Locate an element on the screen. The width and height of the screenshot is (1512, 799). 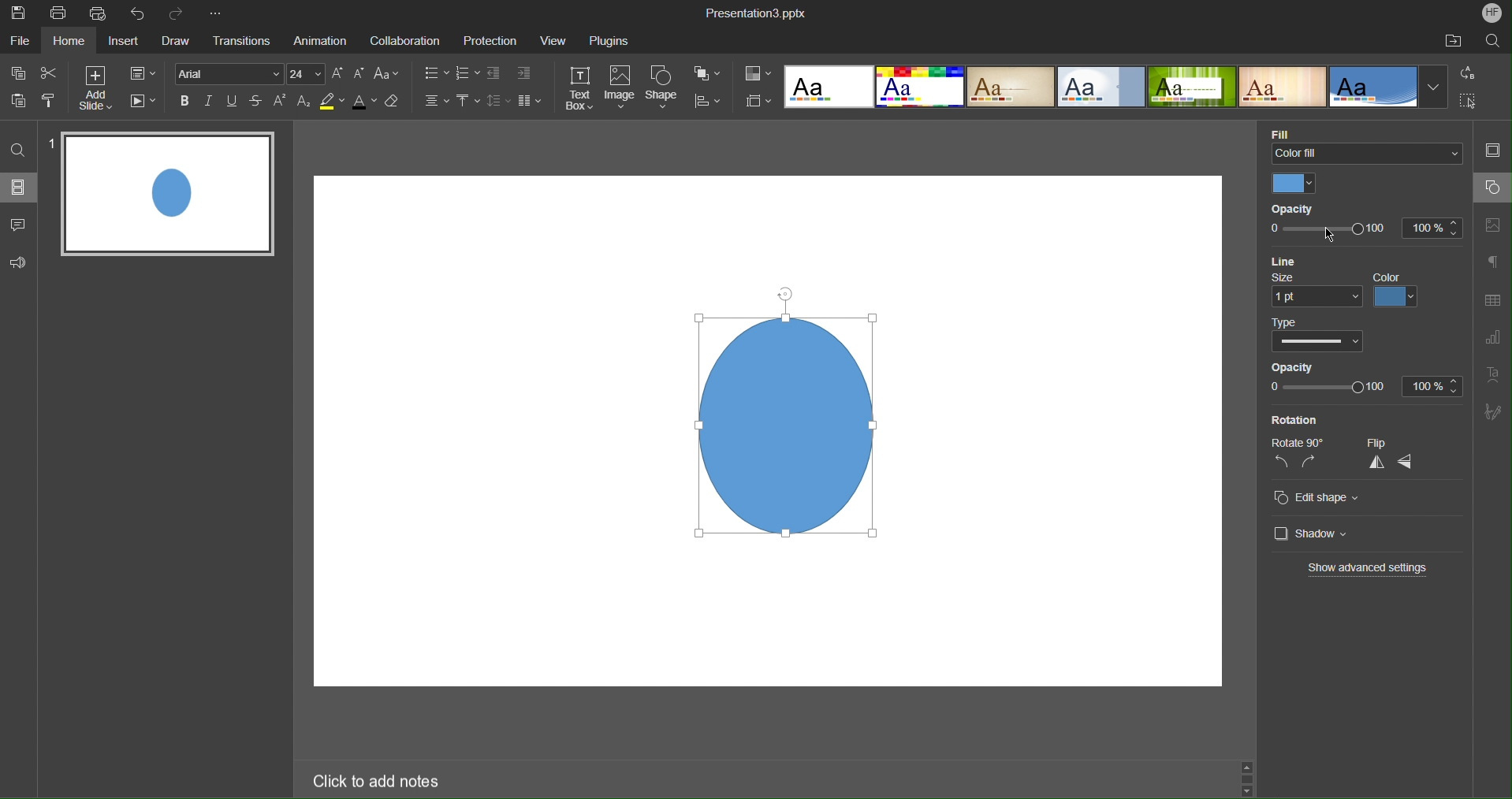
Select All is located at coordinates (1468, 101).